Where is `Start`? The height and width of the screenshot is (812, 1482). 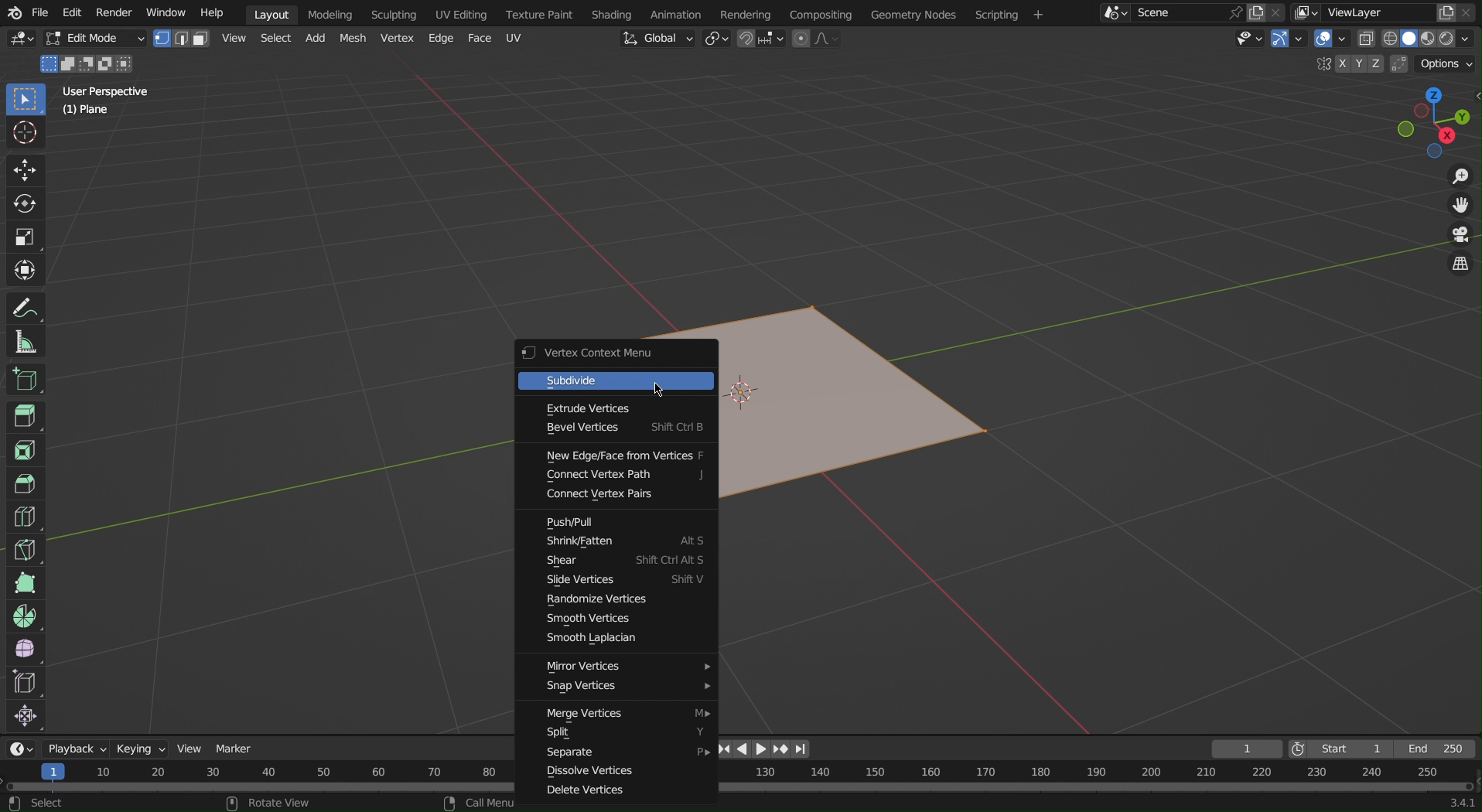
Start is located at coordinates (1333, 749).